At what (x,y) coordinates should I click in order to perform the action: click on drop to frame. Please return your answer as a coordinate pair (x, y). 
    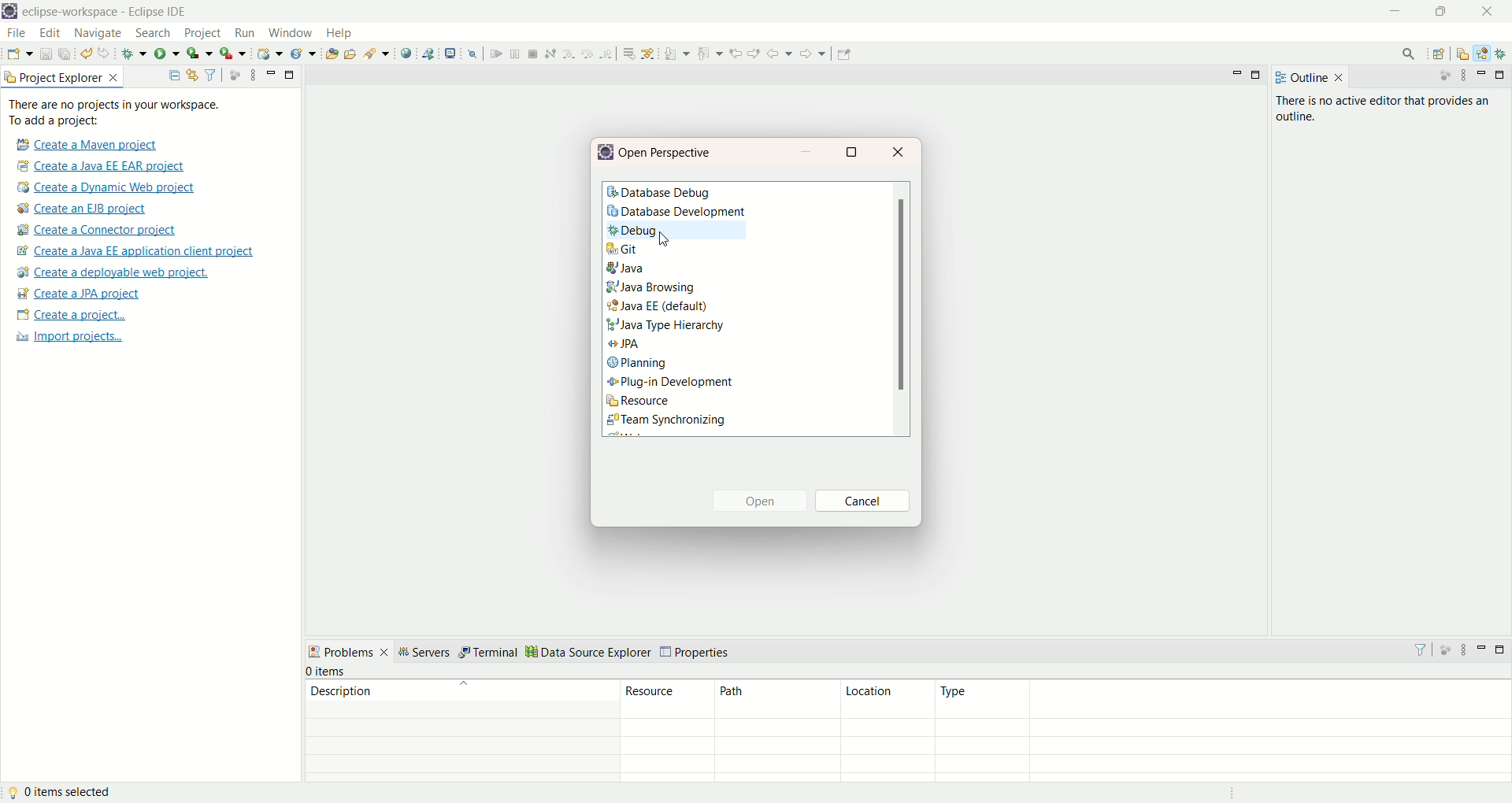
    Looking at the image, I should click on (627, 55).